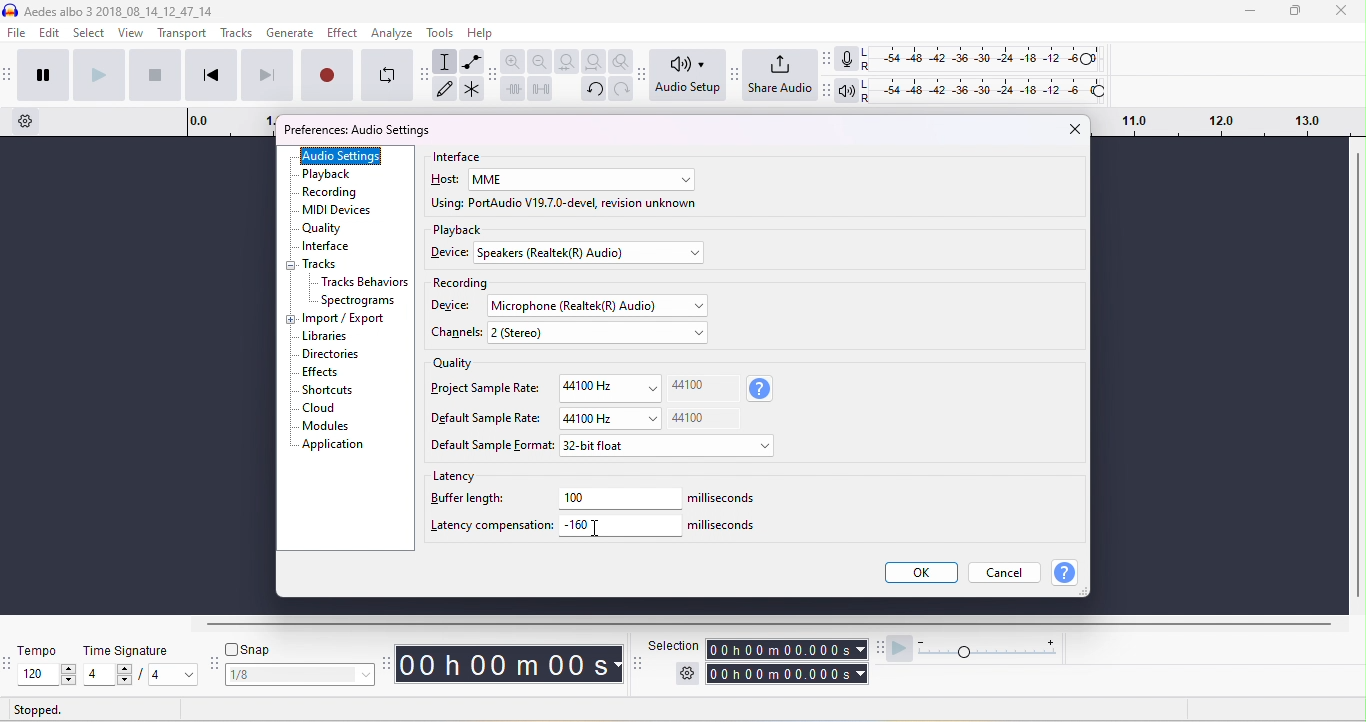 The width and height of the screenshot is (1366, 722). I want to click on libraries, so click(326, 336).